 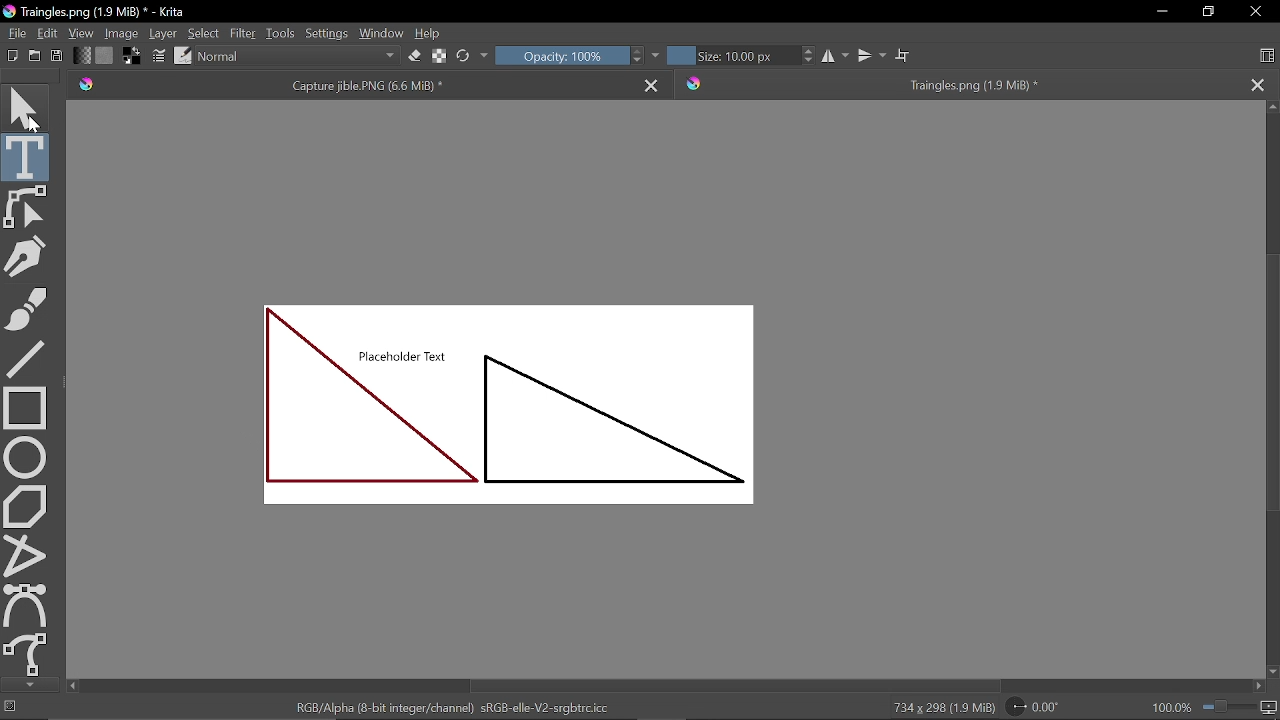 What do you see at coordinates (298, 57) in the screenshot?
I see `Normal` at bounding box center [298, 57].